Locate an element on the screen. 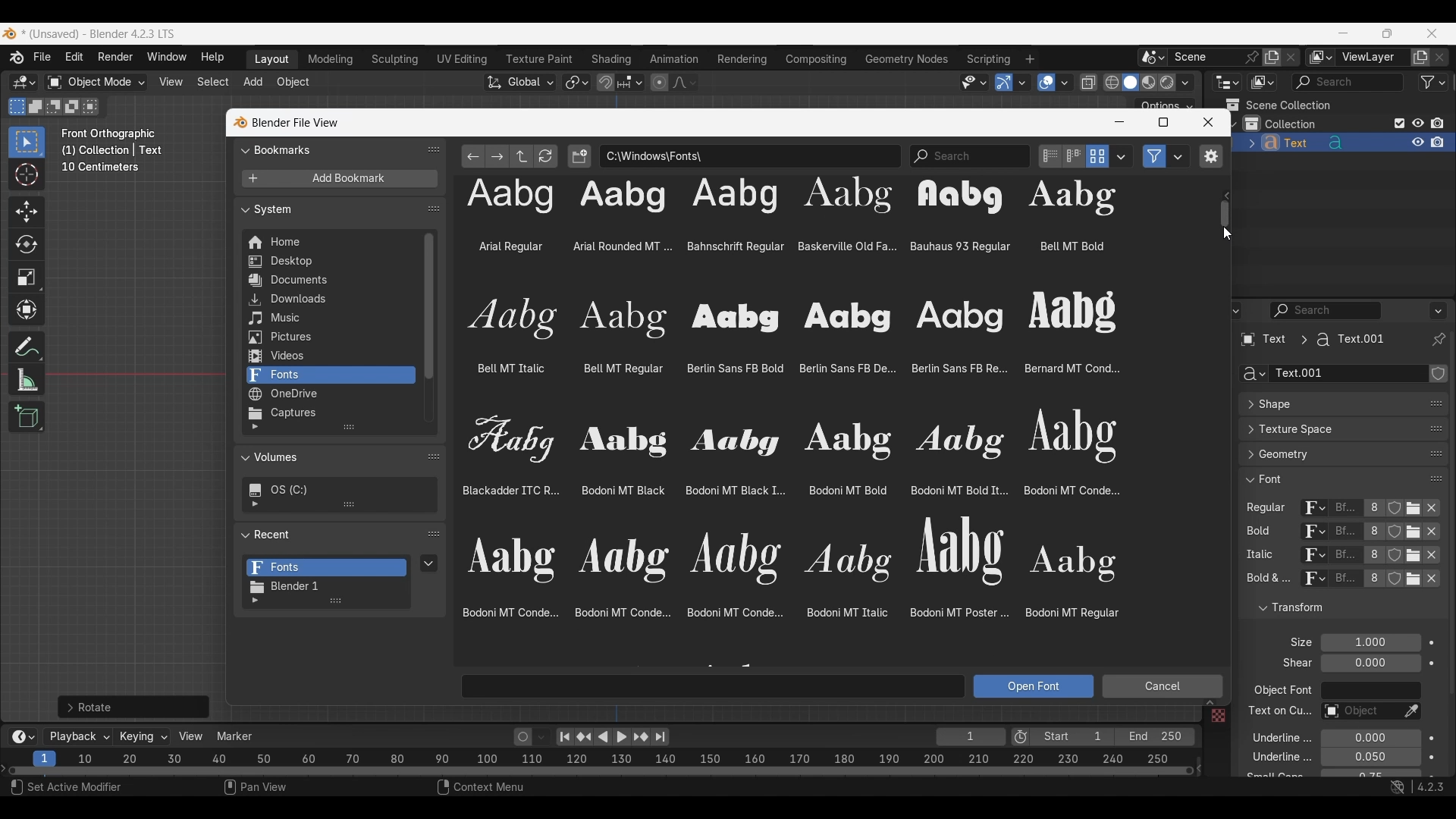  Maximize is located at coordinates (1163, 122).